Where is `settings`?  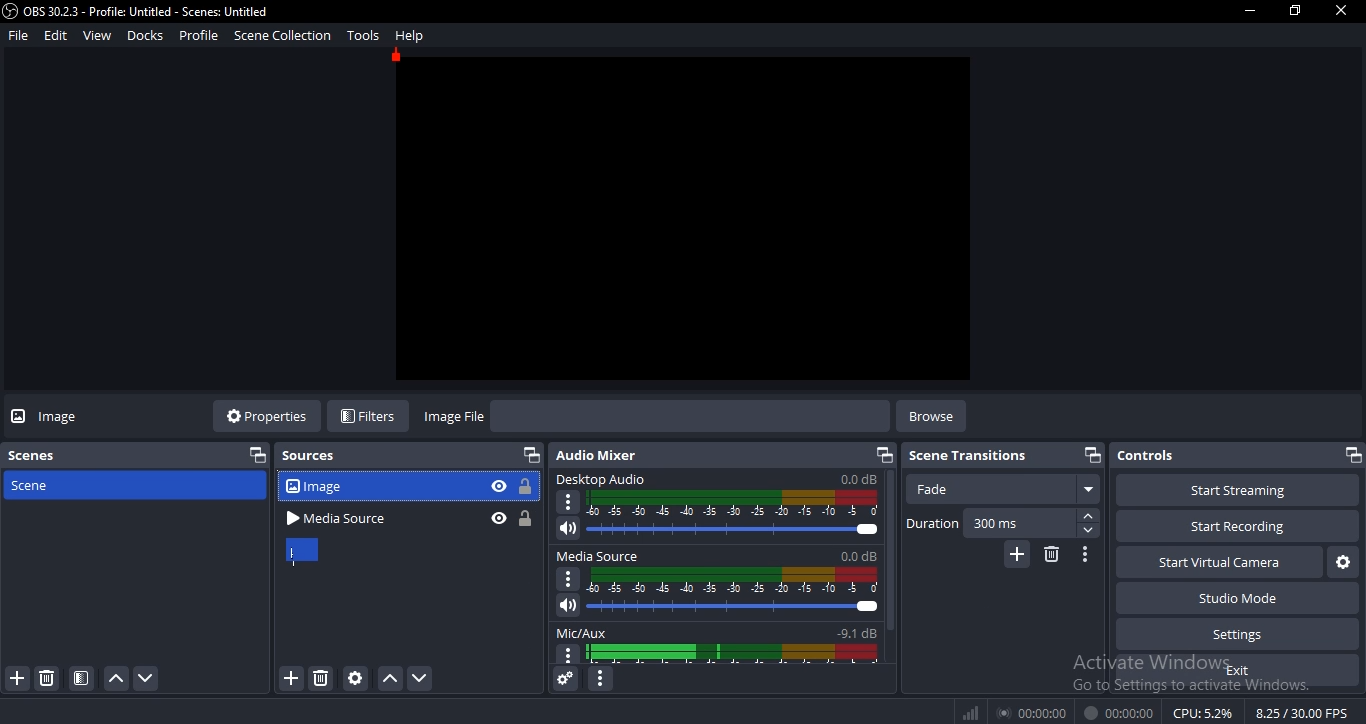
settings is located at coordinates (1231, 635).